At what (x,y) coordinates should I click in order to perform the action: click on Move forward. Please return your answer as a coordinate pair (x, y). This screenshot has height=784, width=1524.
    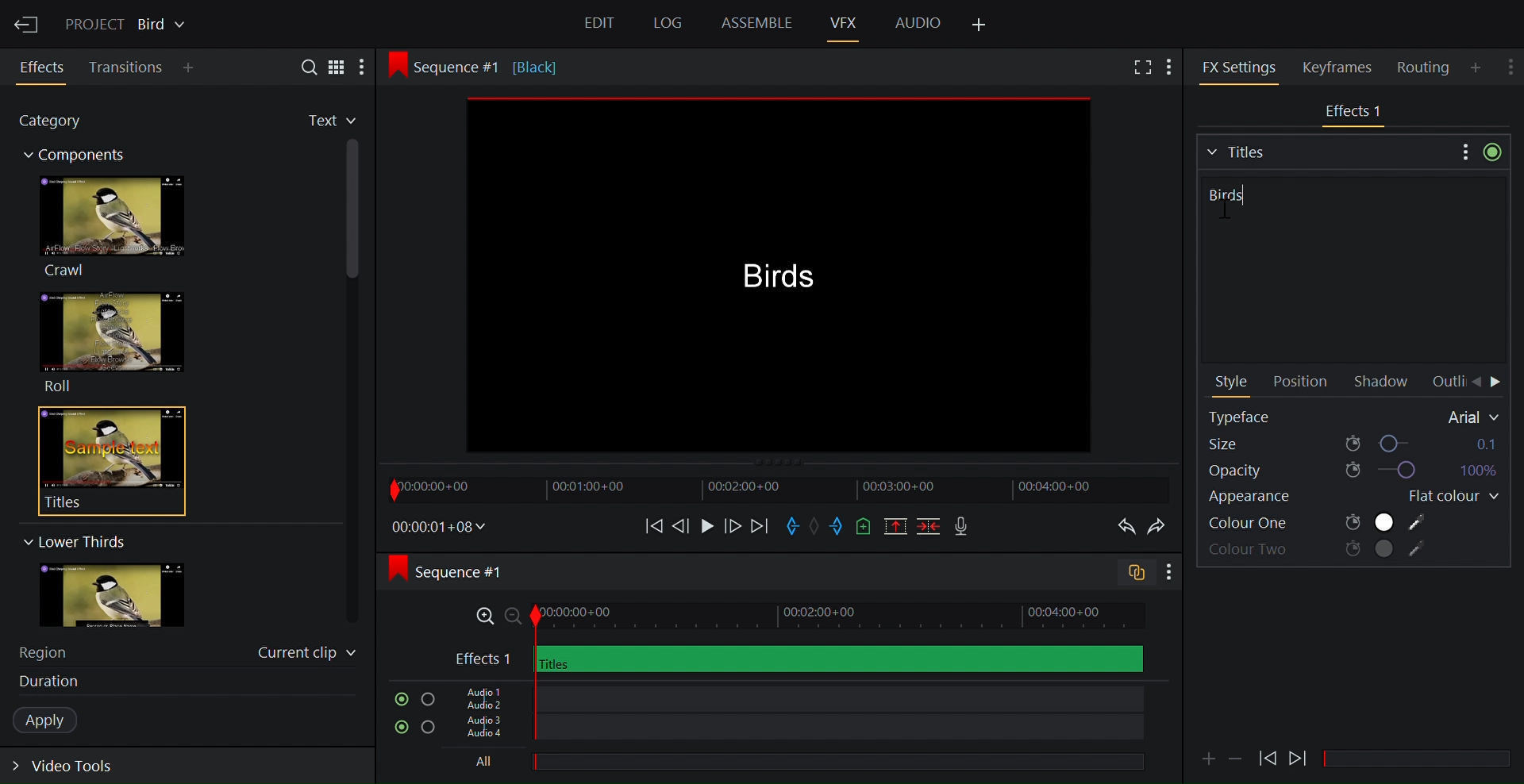
    Looking at the image, I should click on (759, 527).